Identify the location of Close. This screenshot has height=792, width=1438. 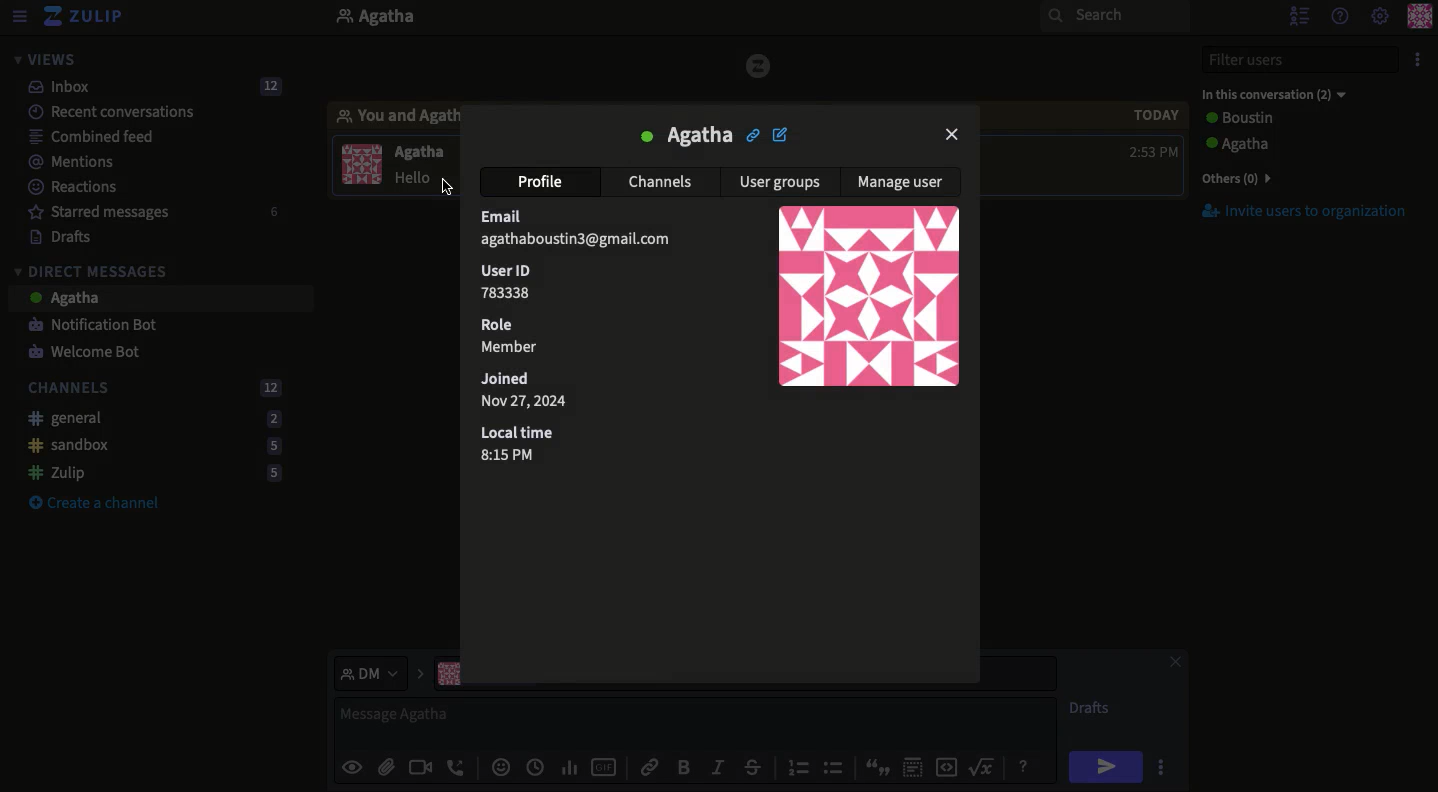
(1174, 664).